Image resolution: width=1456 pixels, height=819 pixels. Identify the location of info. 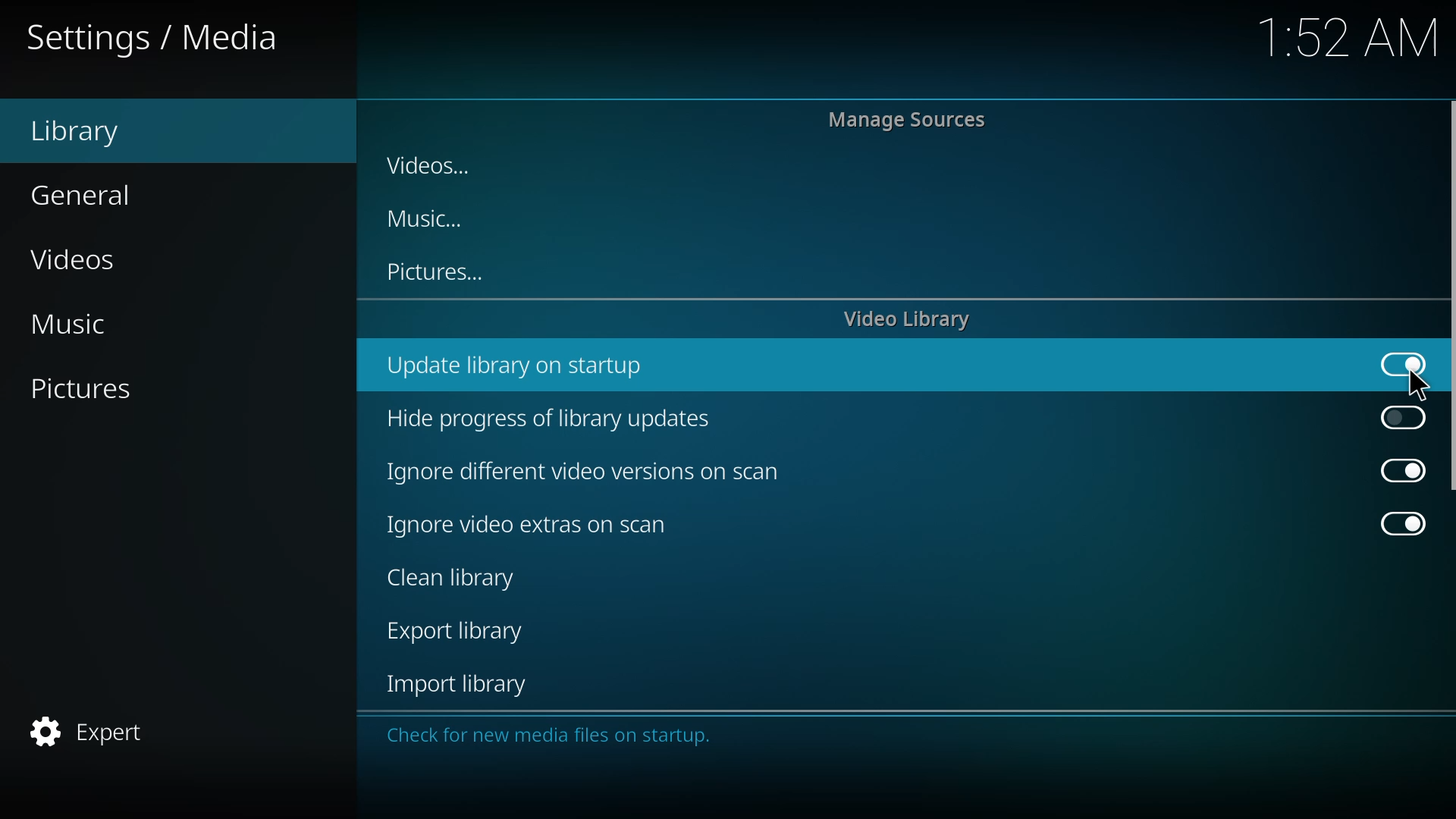
(556, 736).